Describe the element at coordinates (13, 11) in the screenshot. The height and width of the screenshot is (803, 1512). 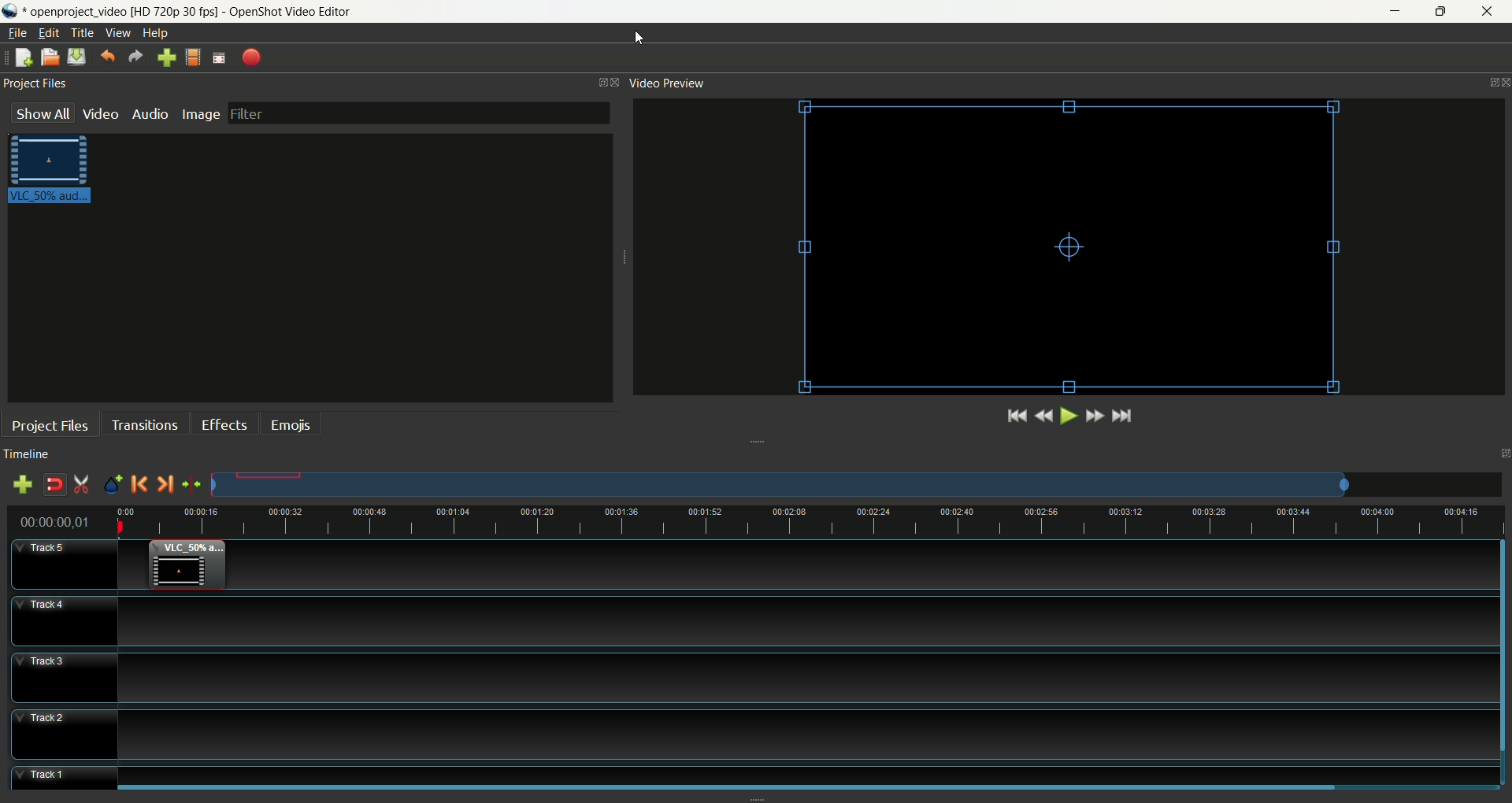
I see `logo` at that location.